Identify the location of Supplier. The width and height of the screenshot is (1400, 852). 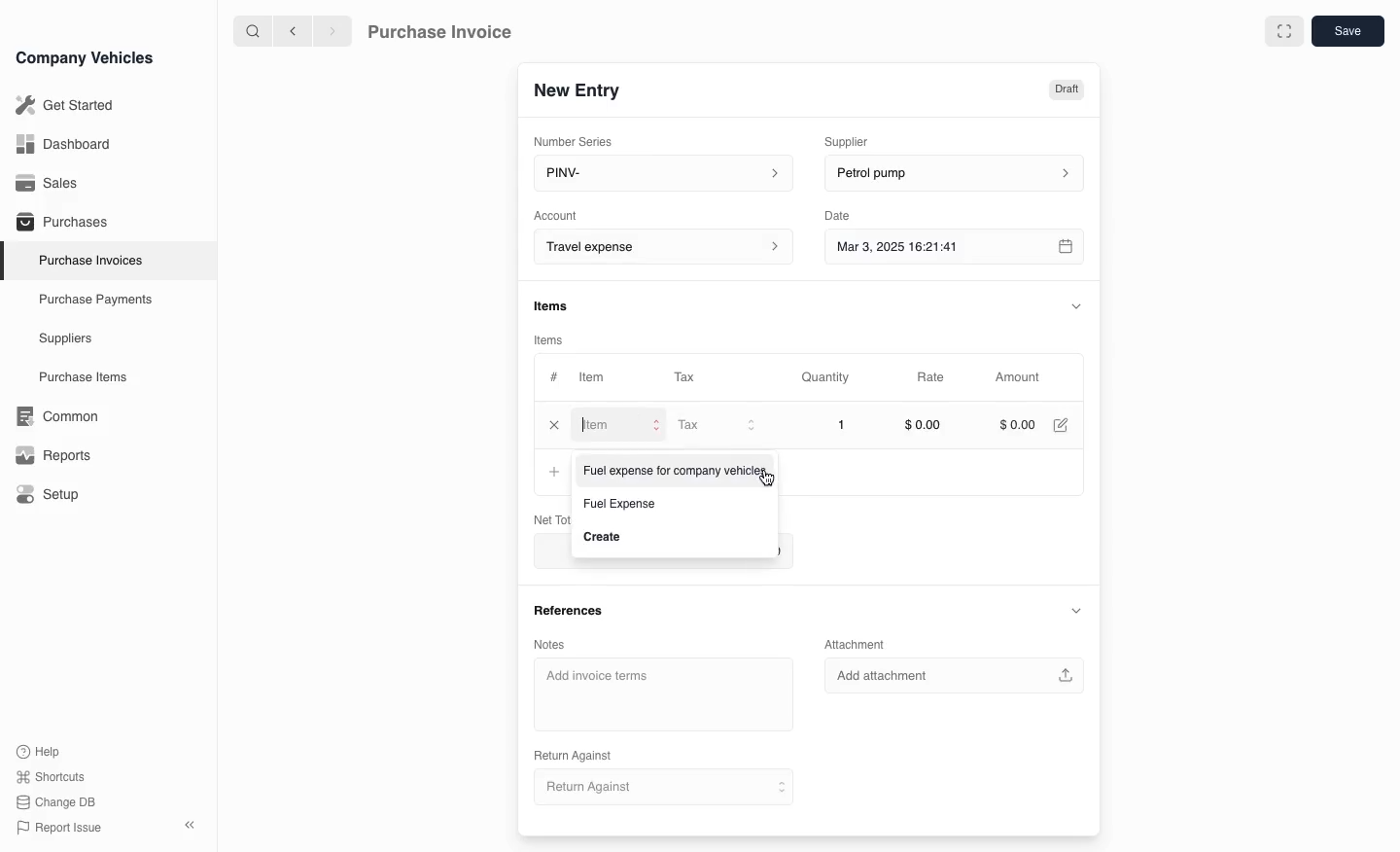
(859, 139).